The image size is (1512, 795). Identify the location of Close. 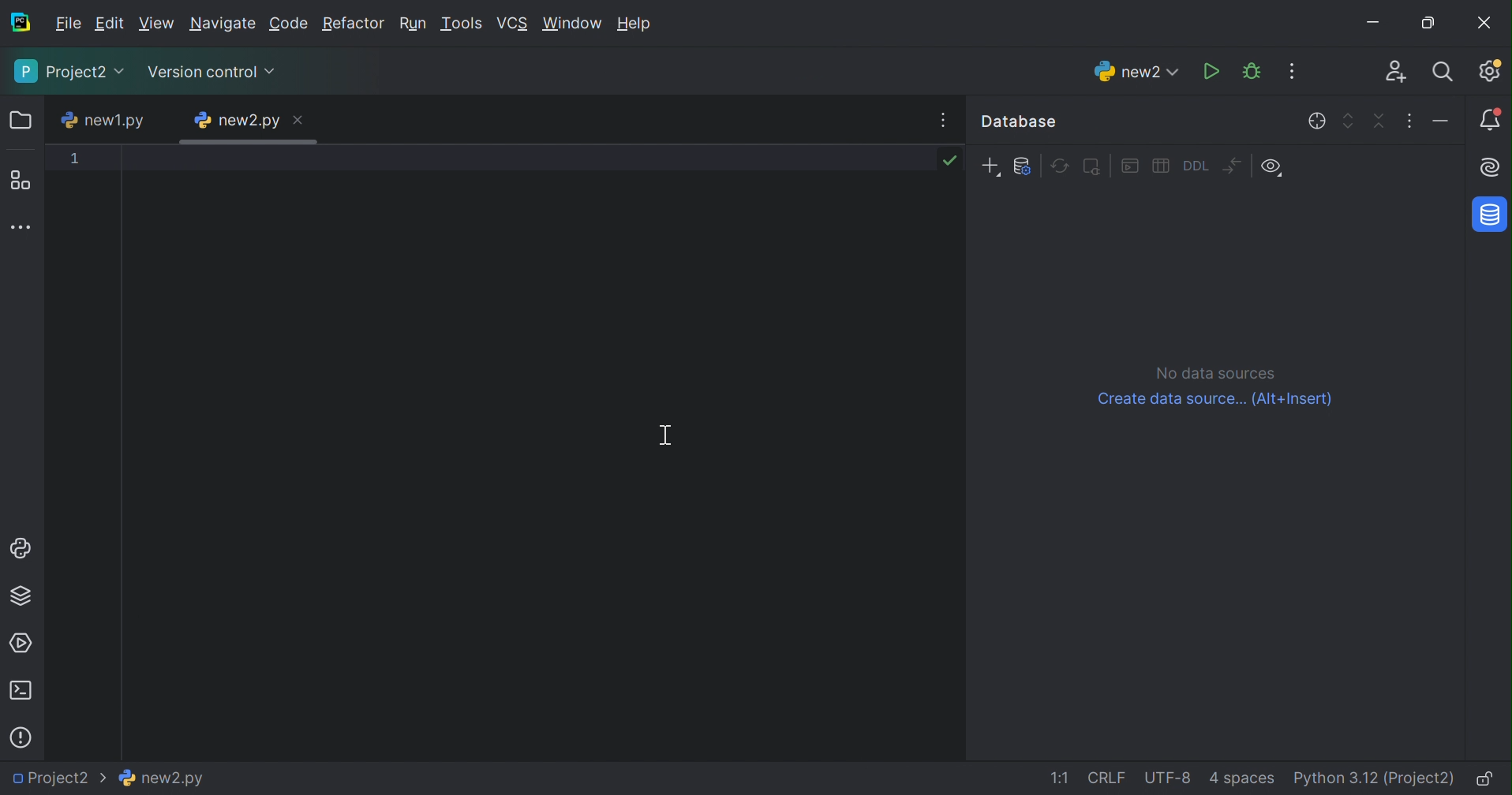
(1487, 24).